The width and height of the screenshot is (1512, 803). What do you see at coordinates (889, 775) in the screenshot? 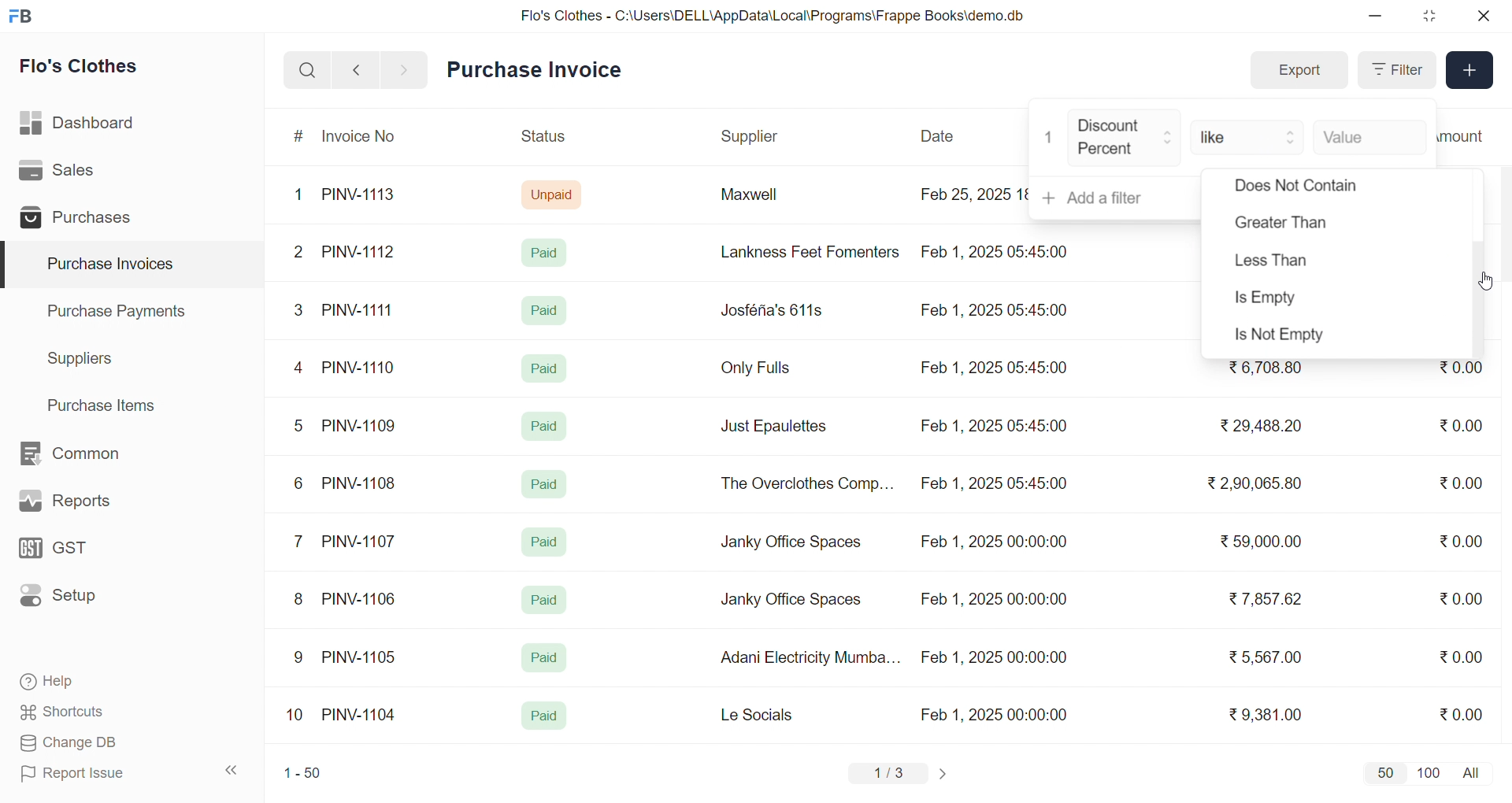
I see `1/3` at bounding box center [889, 775].